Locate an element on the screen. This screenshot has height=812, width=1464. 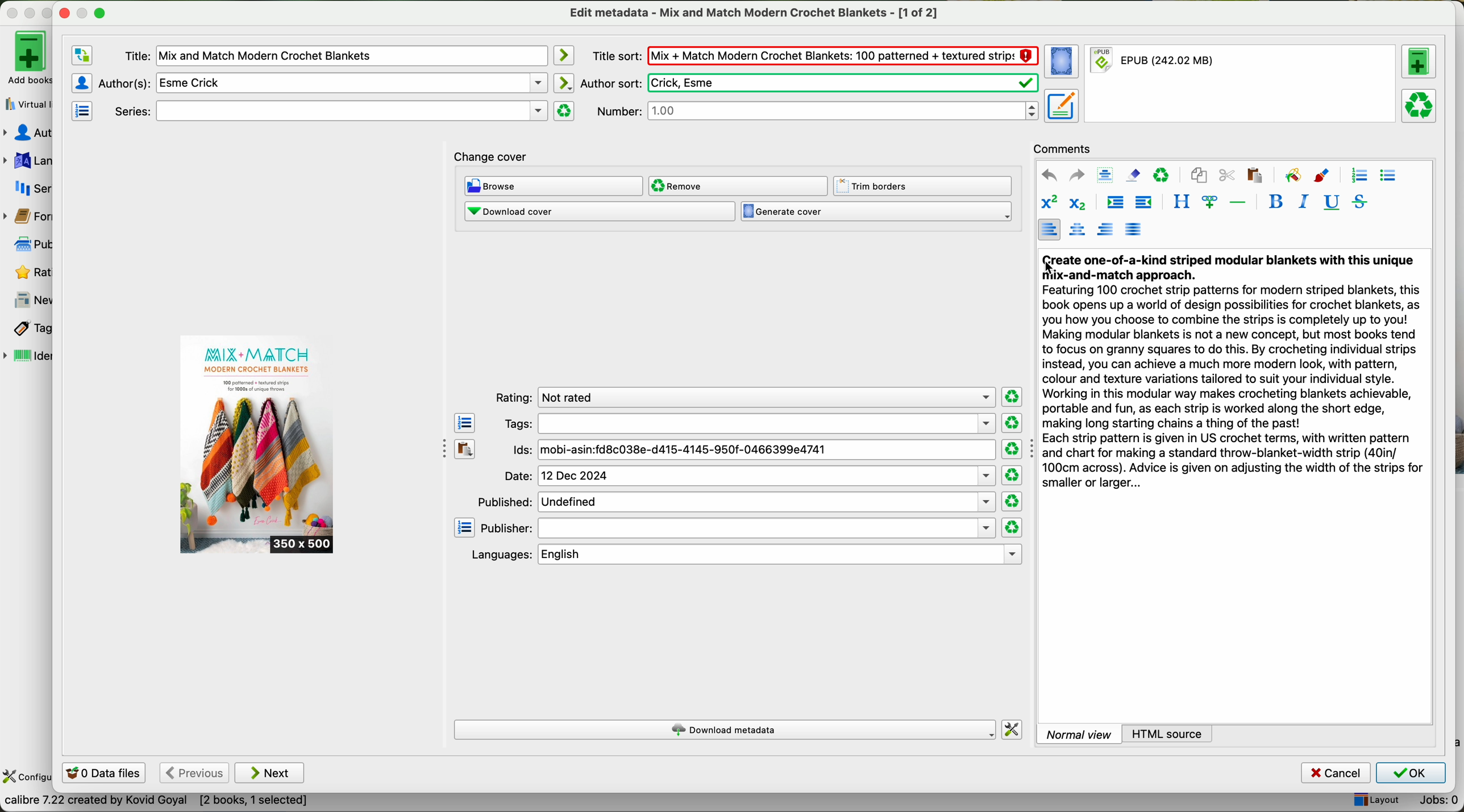
add books is located at coordinates (26, 57).